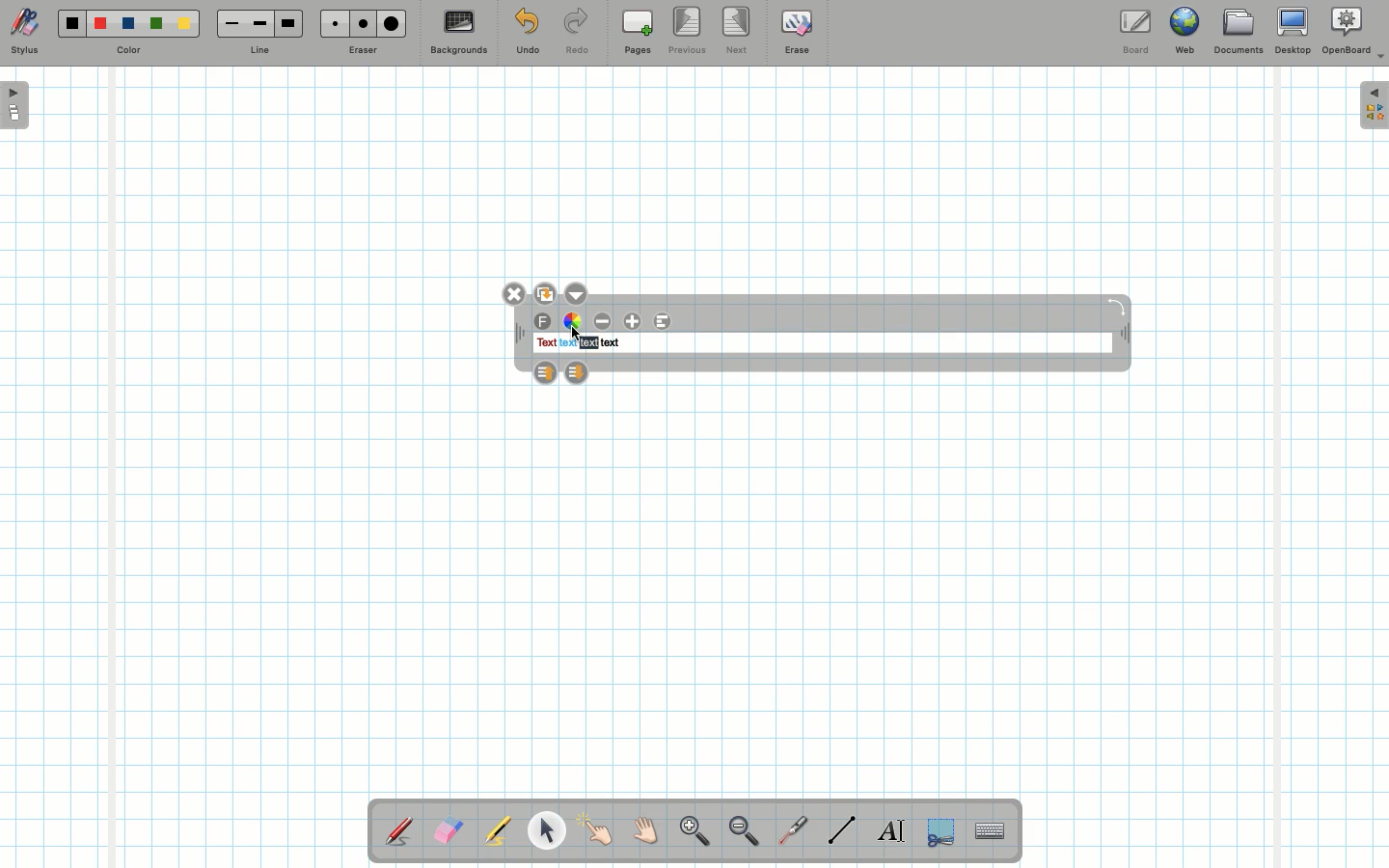 The width and height of the screenshot is (1389, 868). I want to click on Small eraser, so click(330, 23).